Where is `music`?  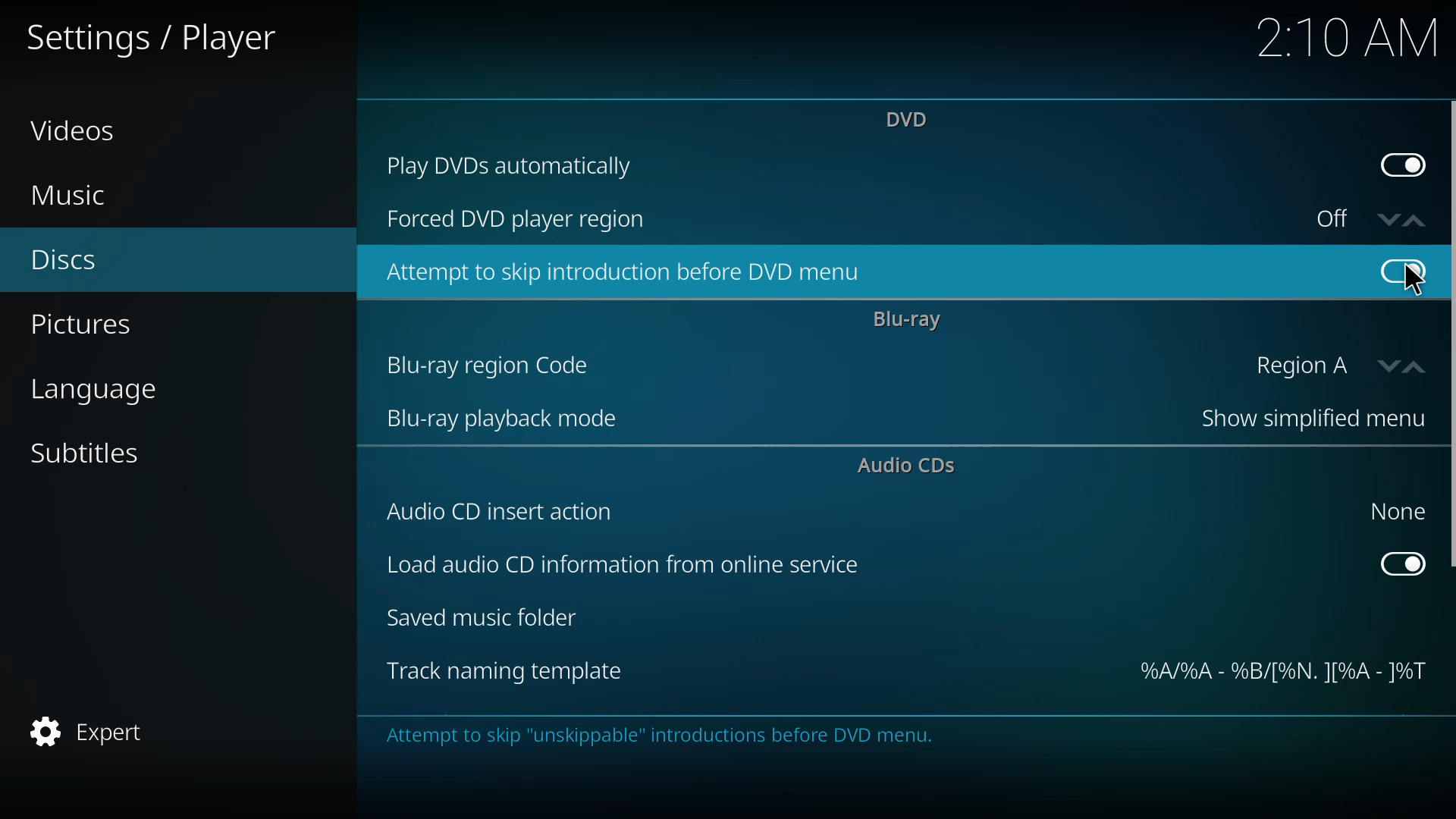 music is located at coordinates (71, 194).